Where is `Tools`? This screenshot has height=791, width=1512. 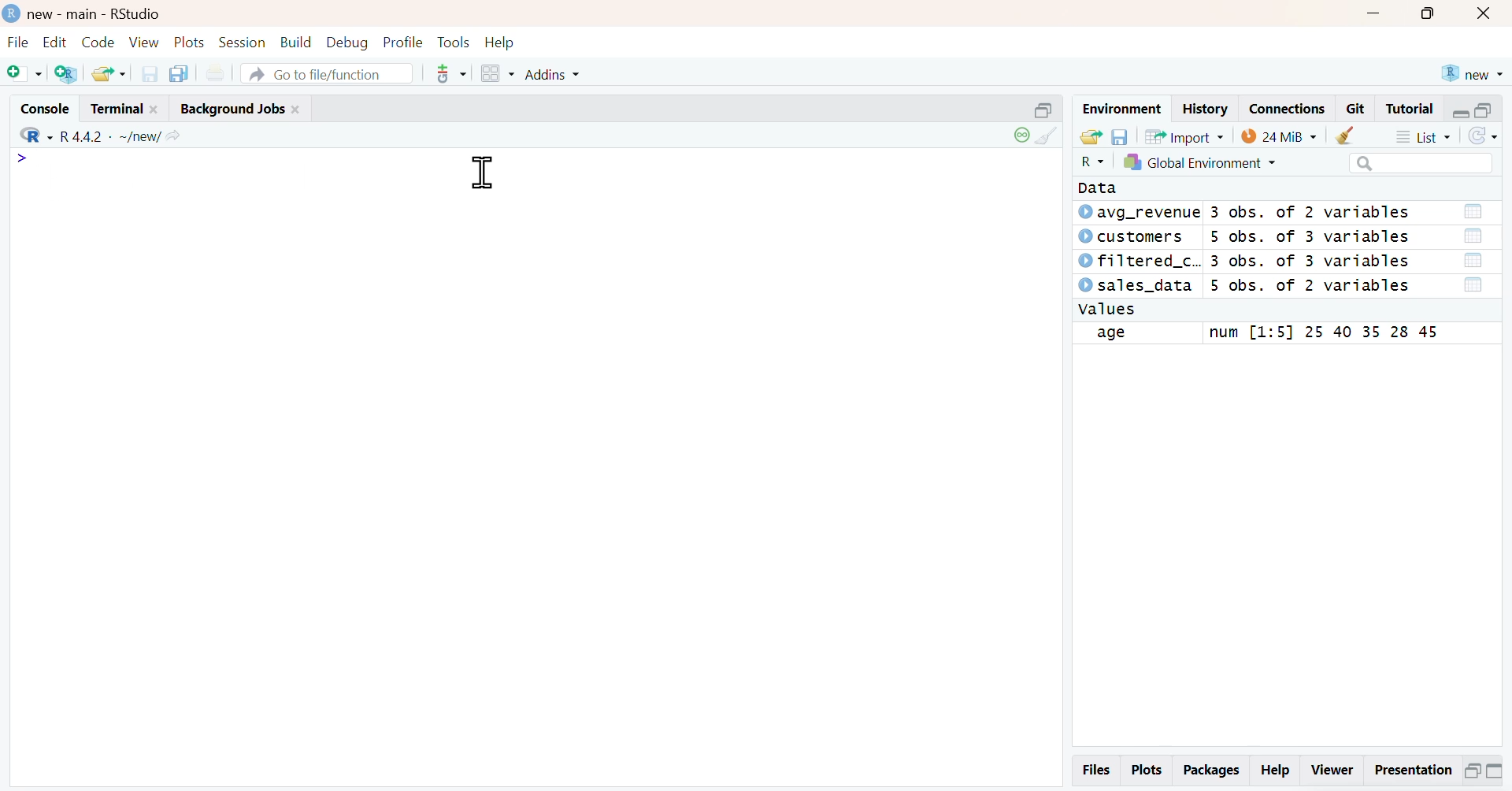
Tools is located at coordinates (455, 43).